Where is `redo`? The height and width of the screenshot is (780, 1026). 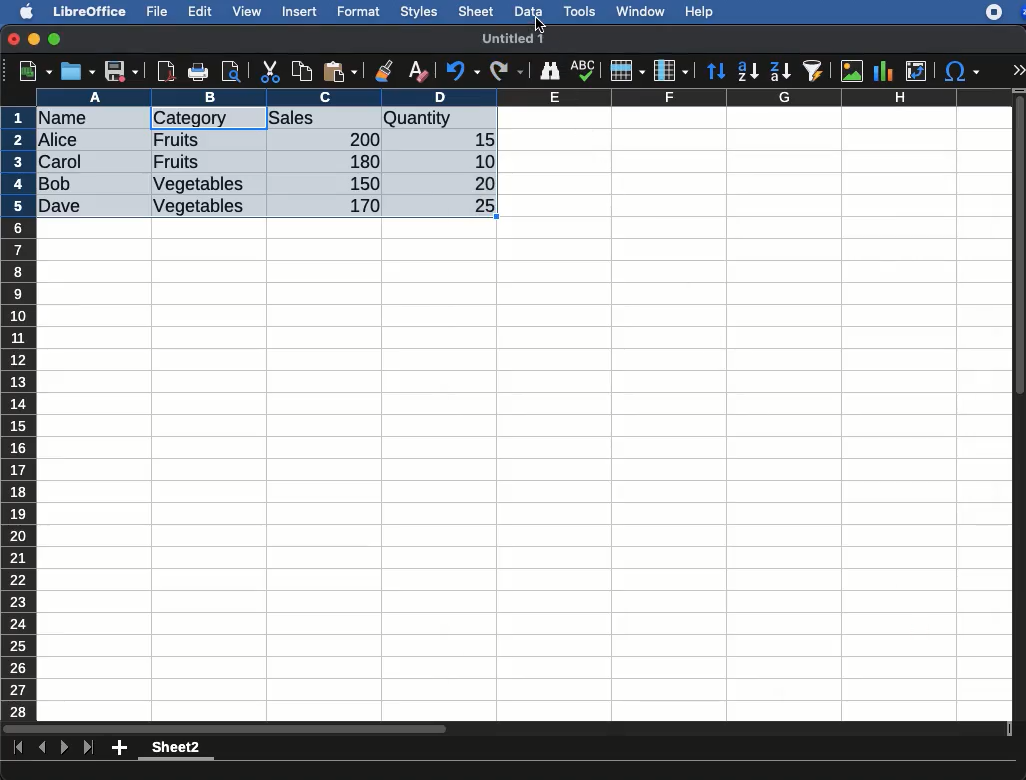 redo is located at coordinates (507, 71).